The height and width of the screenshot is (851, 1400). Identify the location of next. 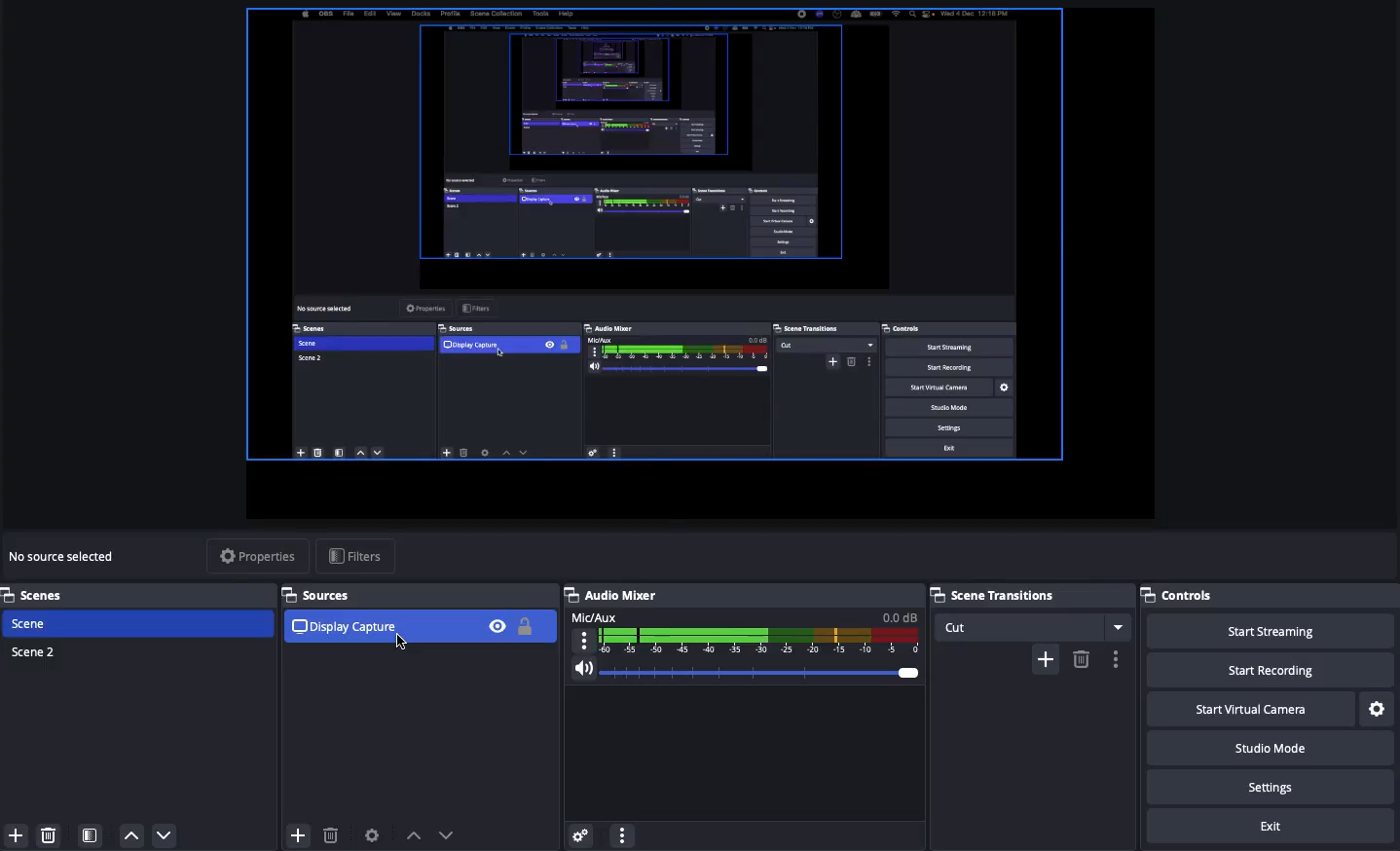
(452, 834).